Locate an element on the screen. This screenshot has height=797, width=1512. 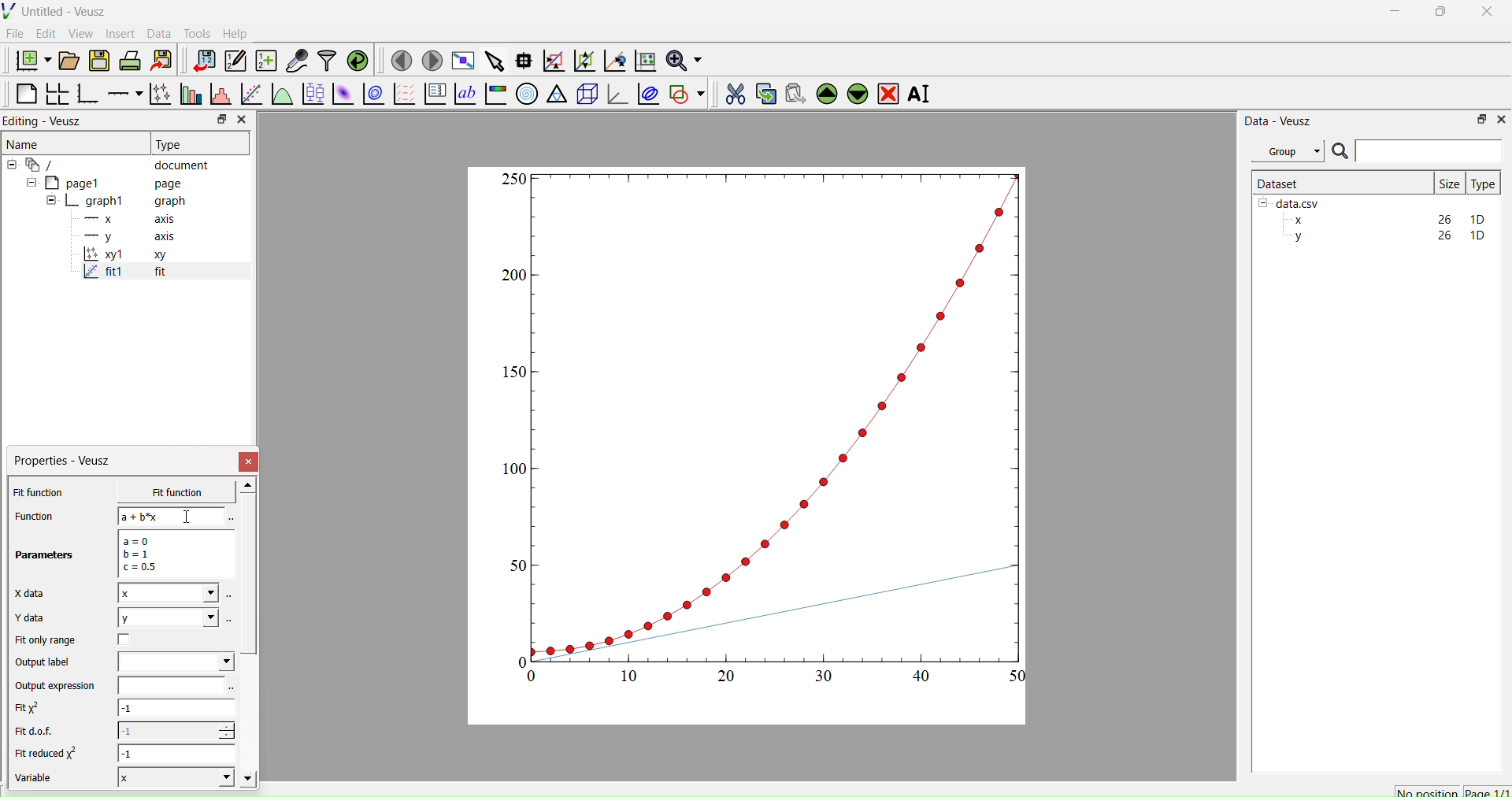
Close is located at coordinates (1488, 16).